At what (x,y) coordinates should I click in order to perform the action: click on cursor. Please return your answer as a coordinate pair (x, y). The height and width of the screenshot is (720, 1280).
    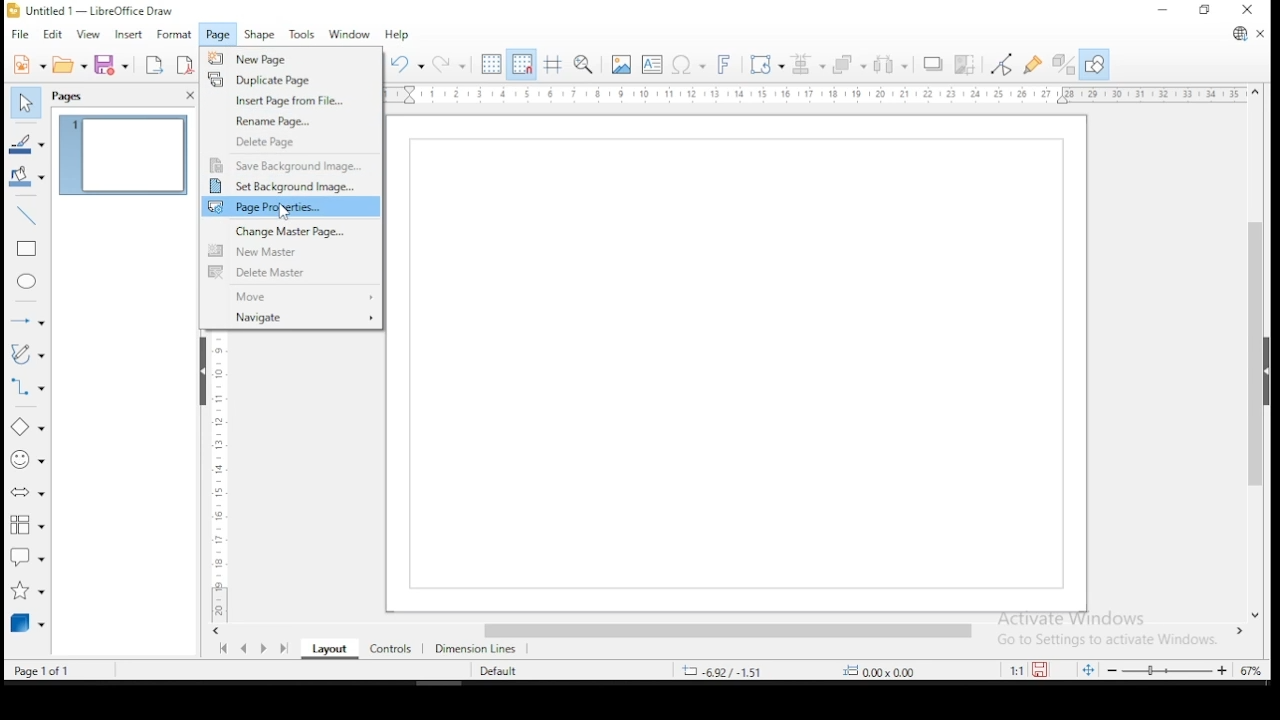
    Looking at the image, I should click on (282, 212).